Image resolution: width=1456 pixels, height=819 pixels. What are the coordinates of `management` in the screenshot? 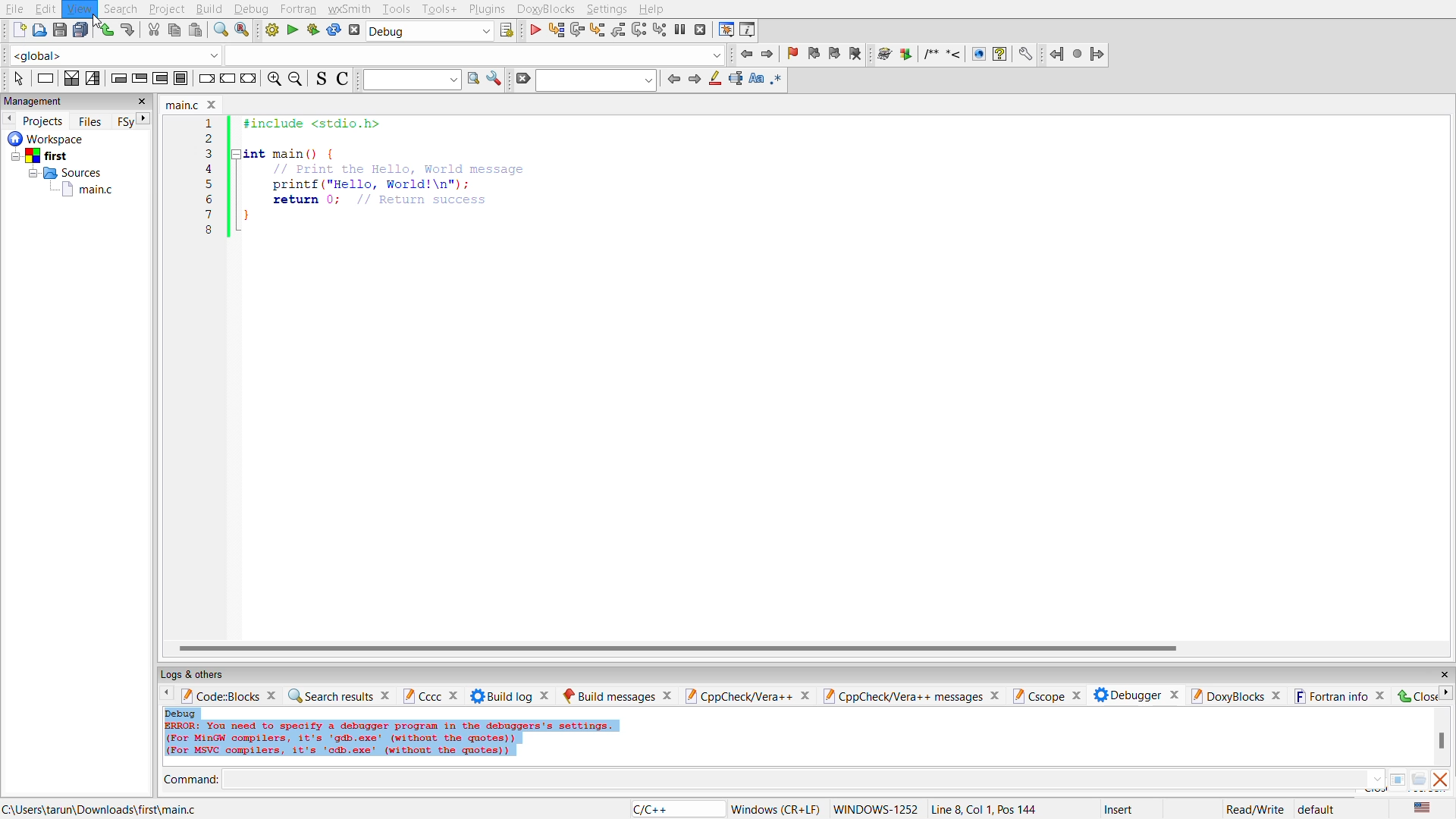 It's located at (31, 99).